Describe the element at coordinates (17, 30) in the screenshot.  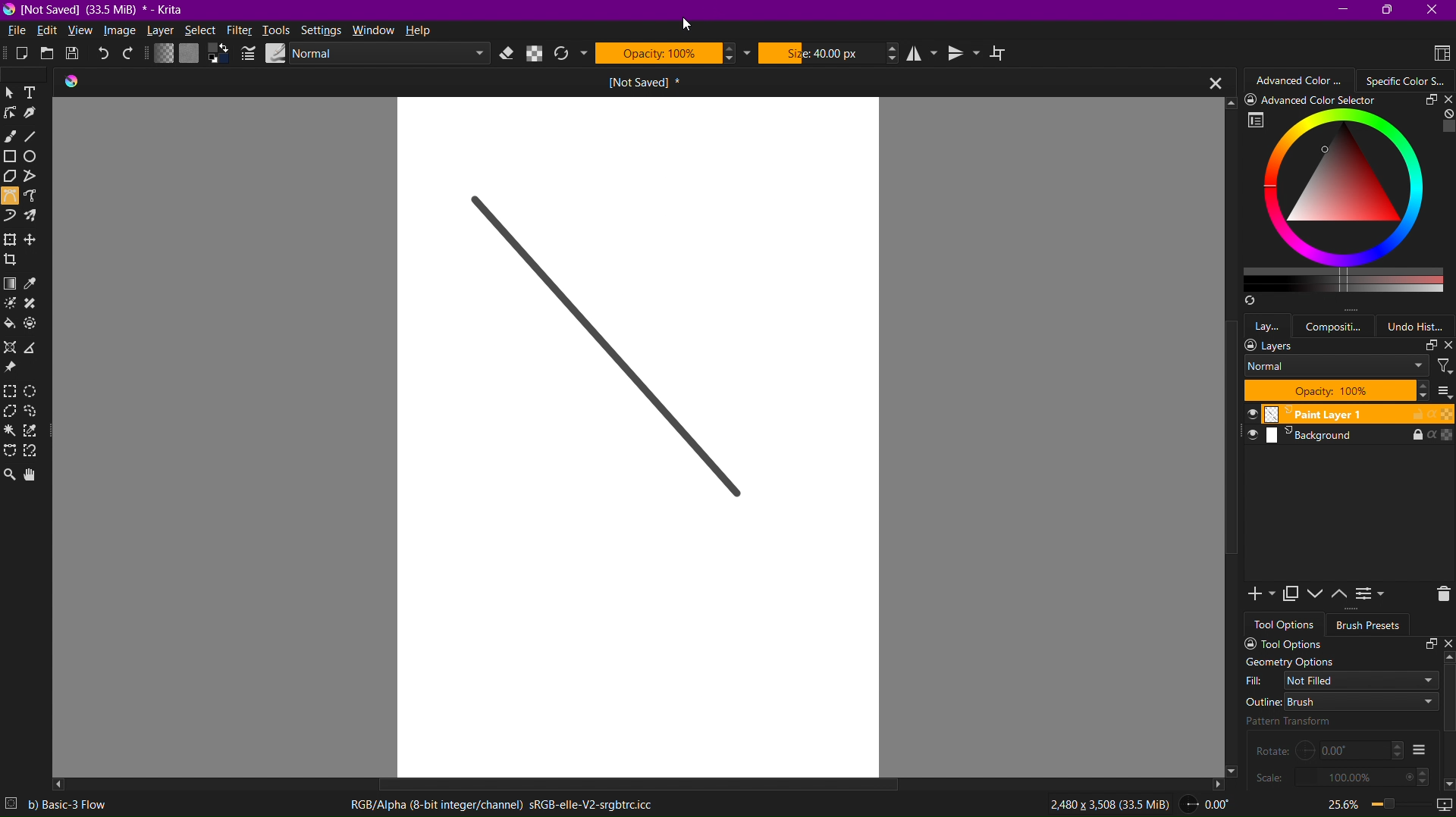
I see `File` at that location.